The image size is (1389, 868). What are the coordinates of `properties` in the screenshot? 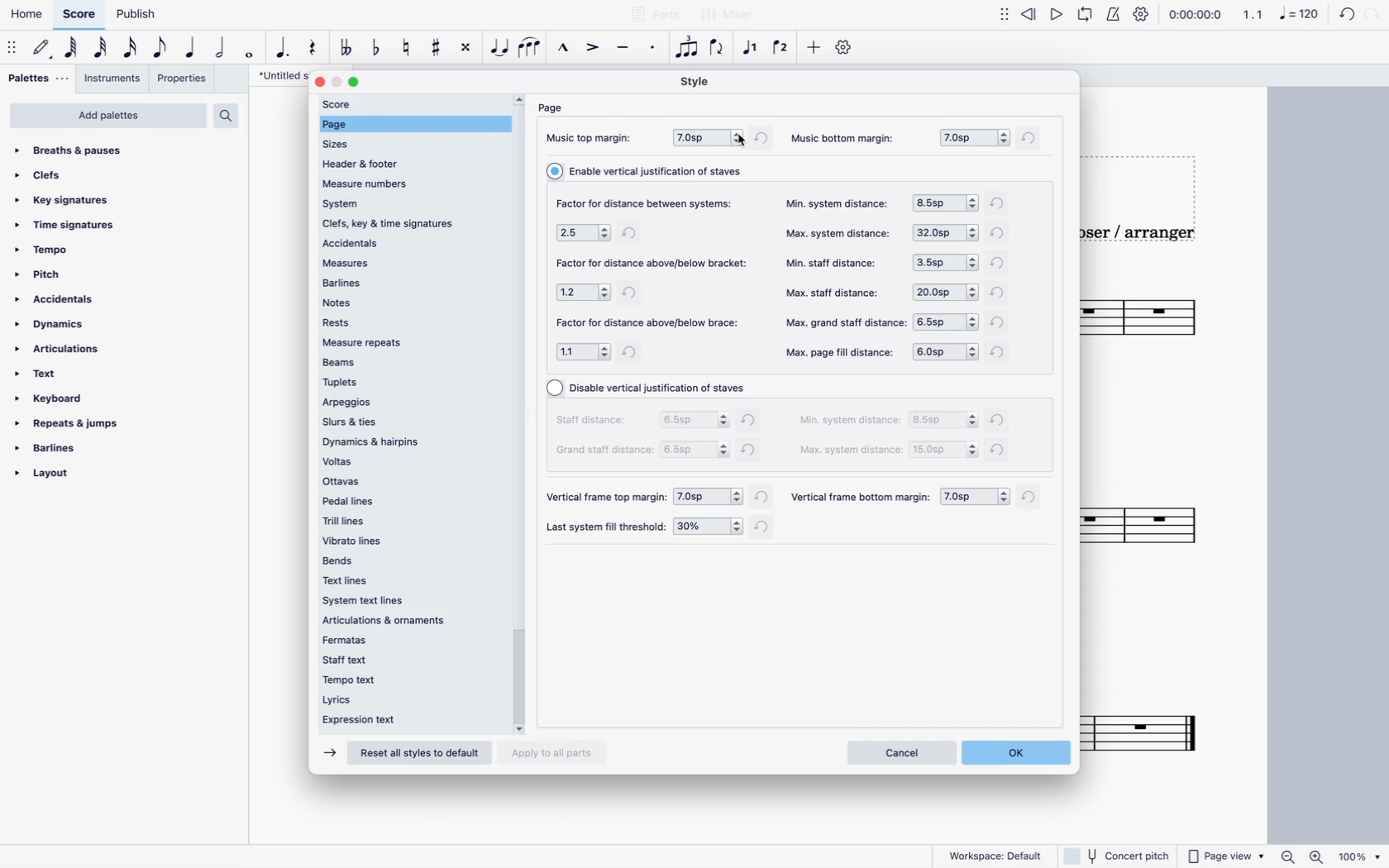 It's located at (184, 79).